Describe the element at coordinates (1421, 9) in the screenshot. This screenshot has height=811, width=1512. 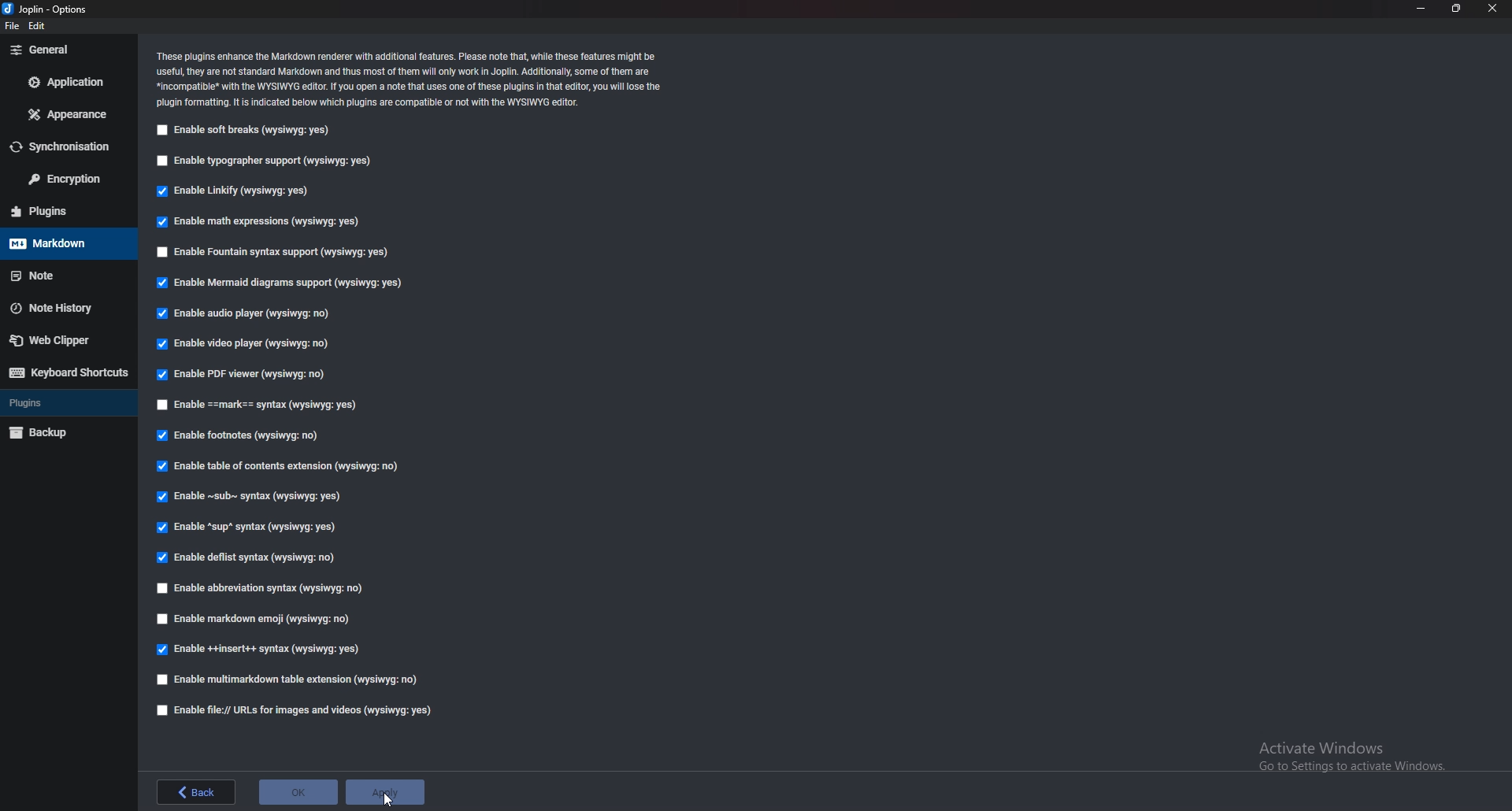
I see `Minimize` at that location.